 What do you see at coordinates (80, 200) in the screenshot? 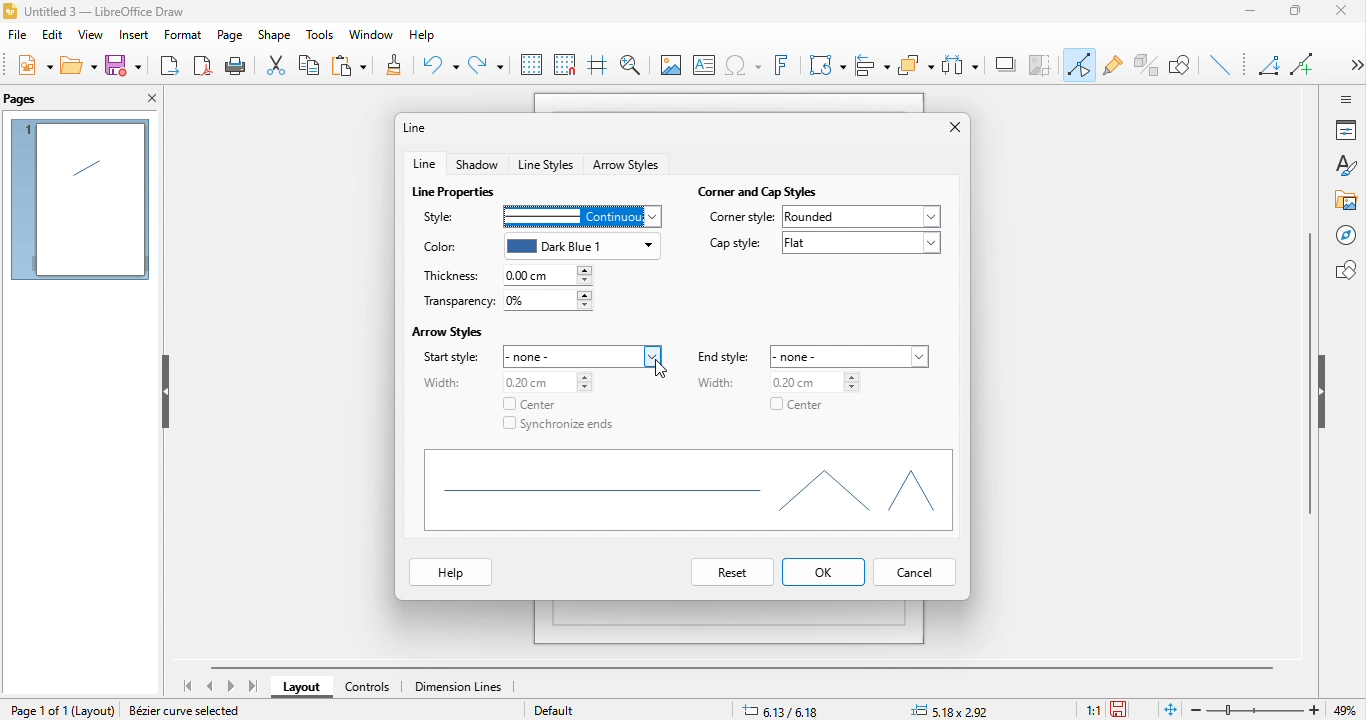
I see `page 1` at bounding box center [80, 200].